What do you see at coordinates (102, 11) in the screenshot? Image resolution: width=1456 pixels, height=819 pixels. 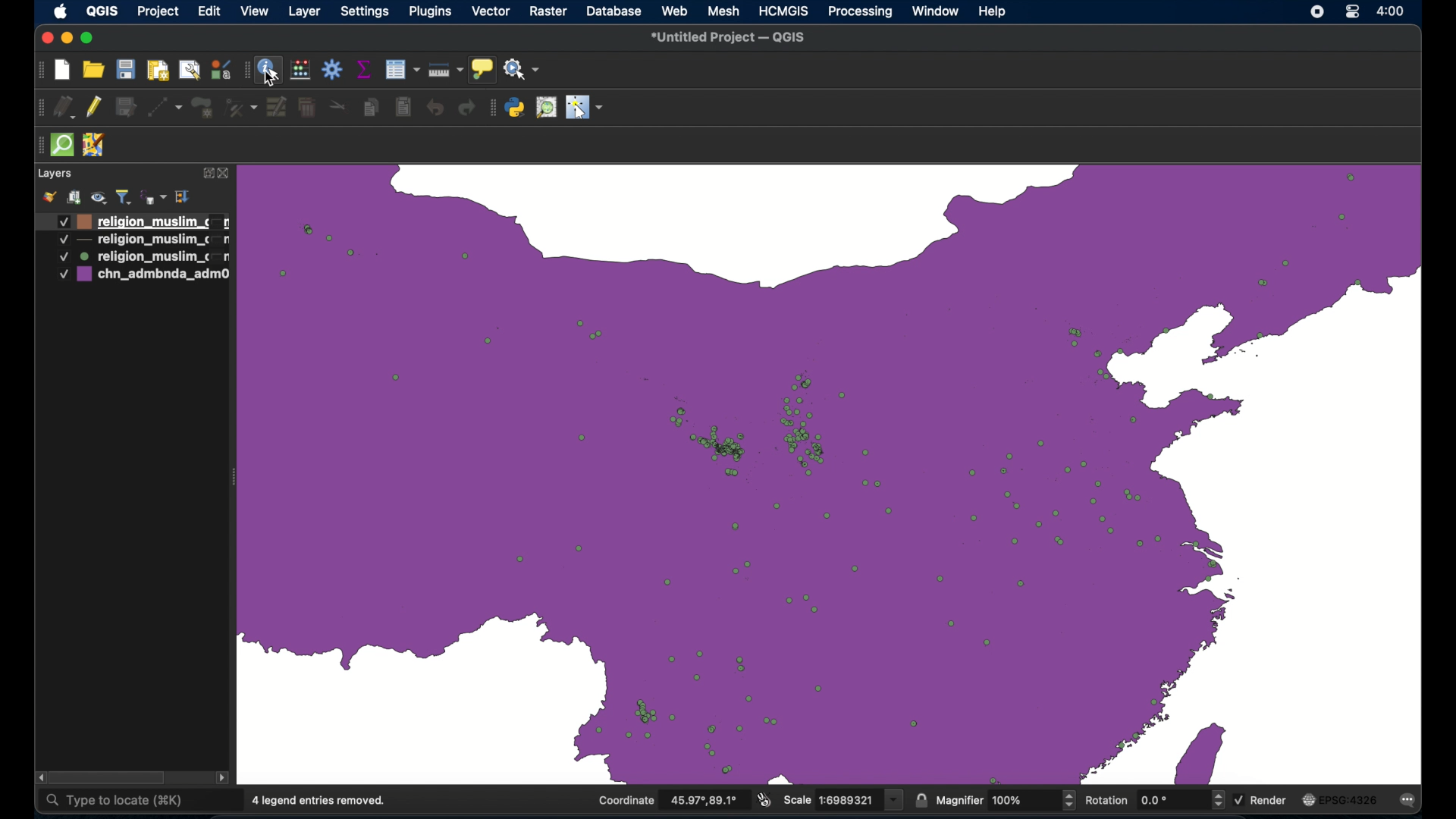 I see `QGIS` at bounding box center [102, 11].